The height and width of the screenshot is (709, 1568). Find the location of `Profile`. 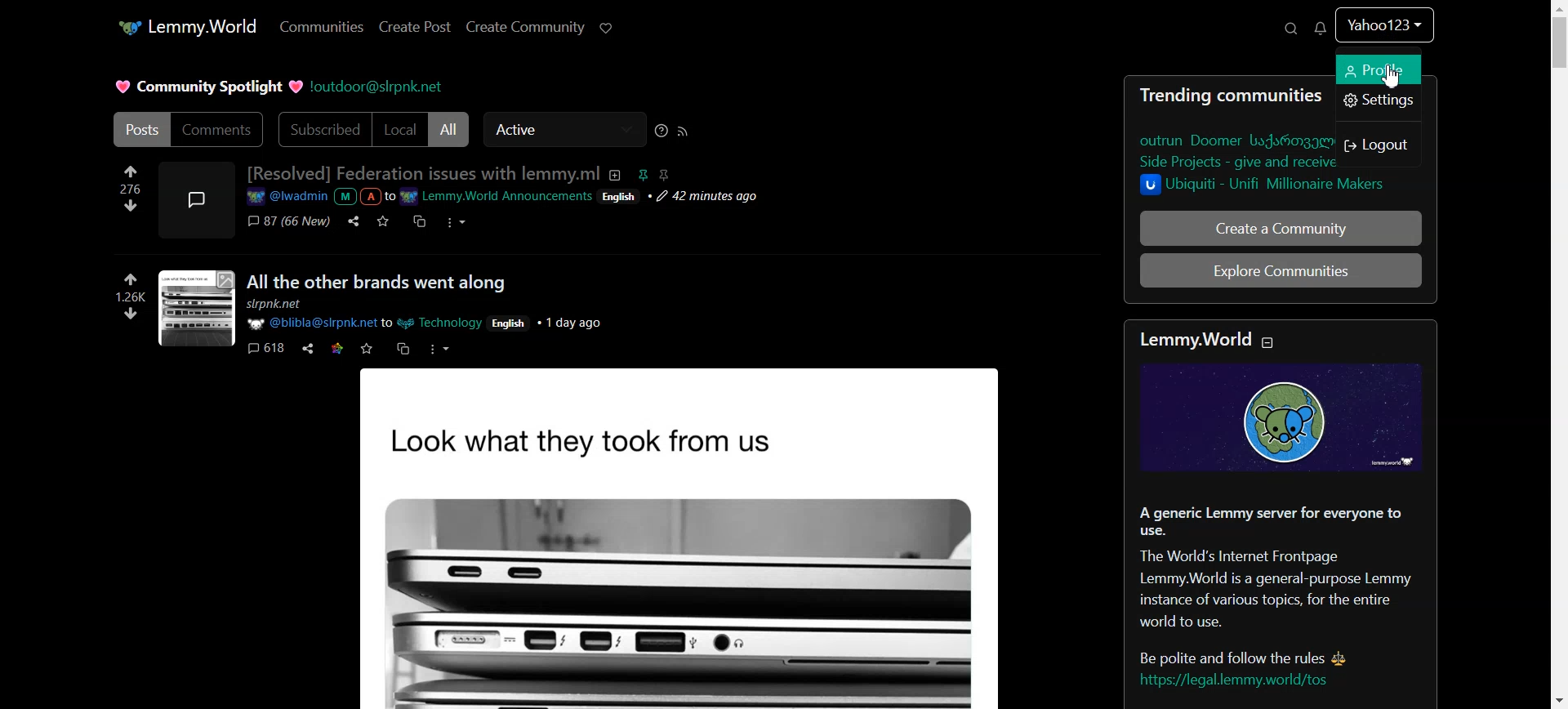

Profile is located at coordinates (1379, 70).